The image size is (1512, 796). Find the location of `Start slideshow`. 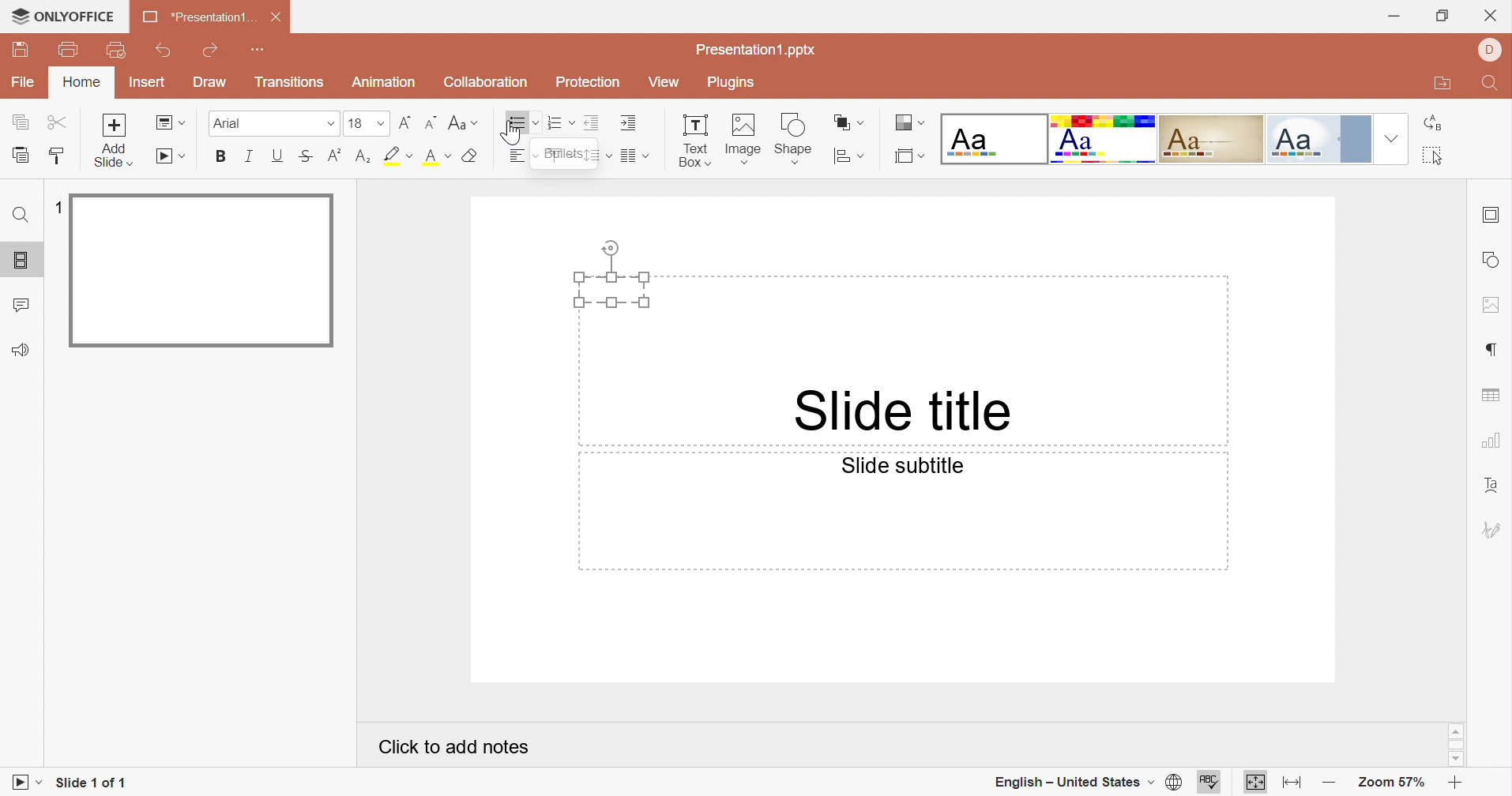

Start slideshow is located at coordinates (171, 157).